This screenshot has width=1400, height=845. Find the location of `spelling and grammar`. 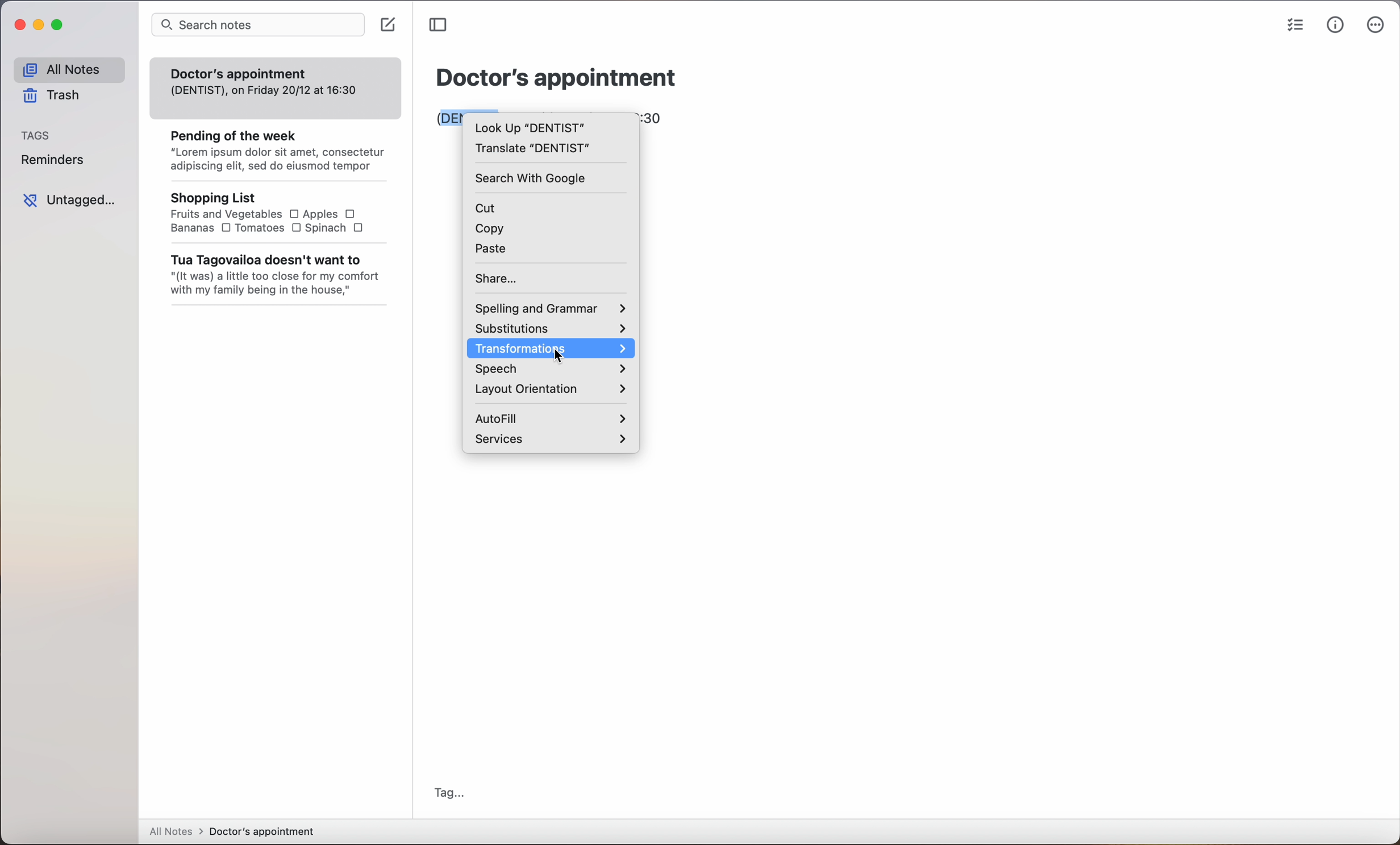

spelling and grammar is located at coordinates (551, 307).